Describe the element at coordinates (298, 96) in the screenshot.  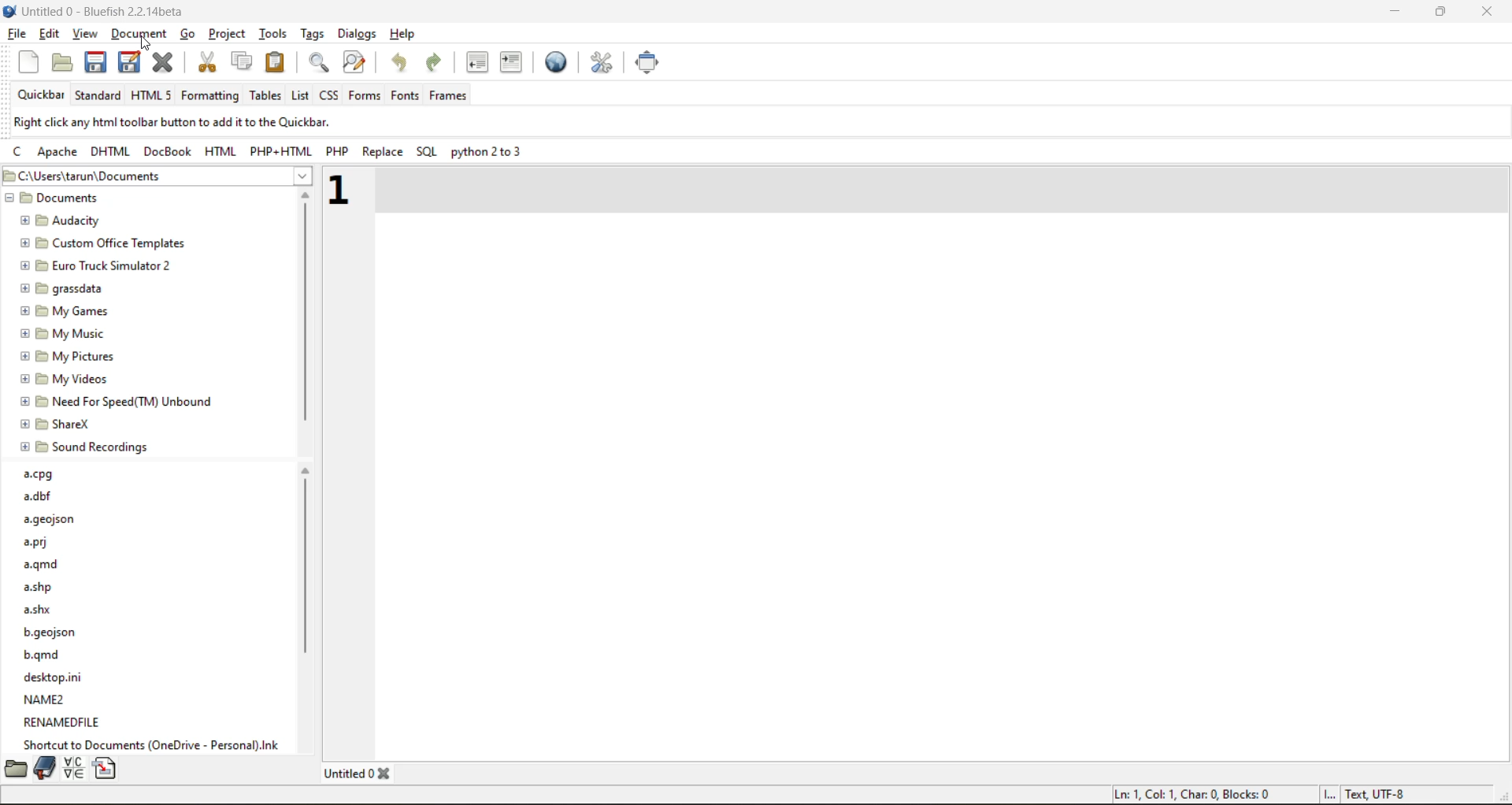
I see `list` at that location.